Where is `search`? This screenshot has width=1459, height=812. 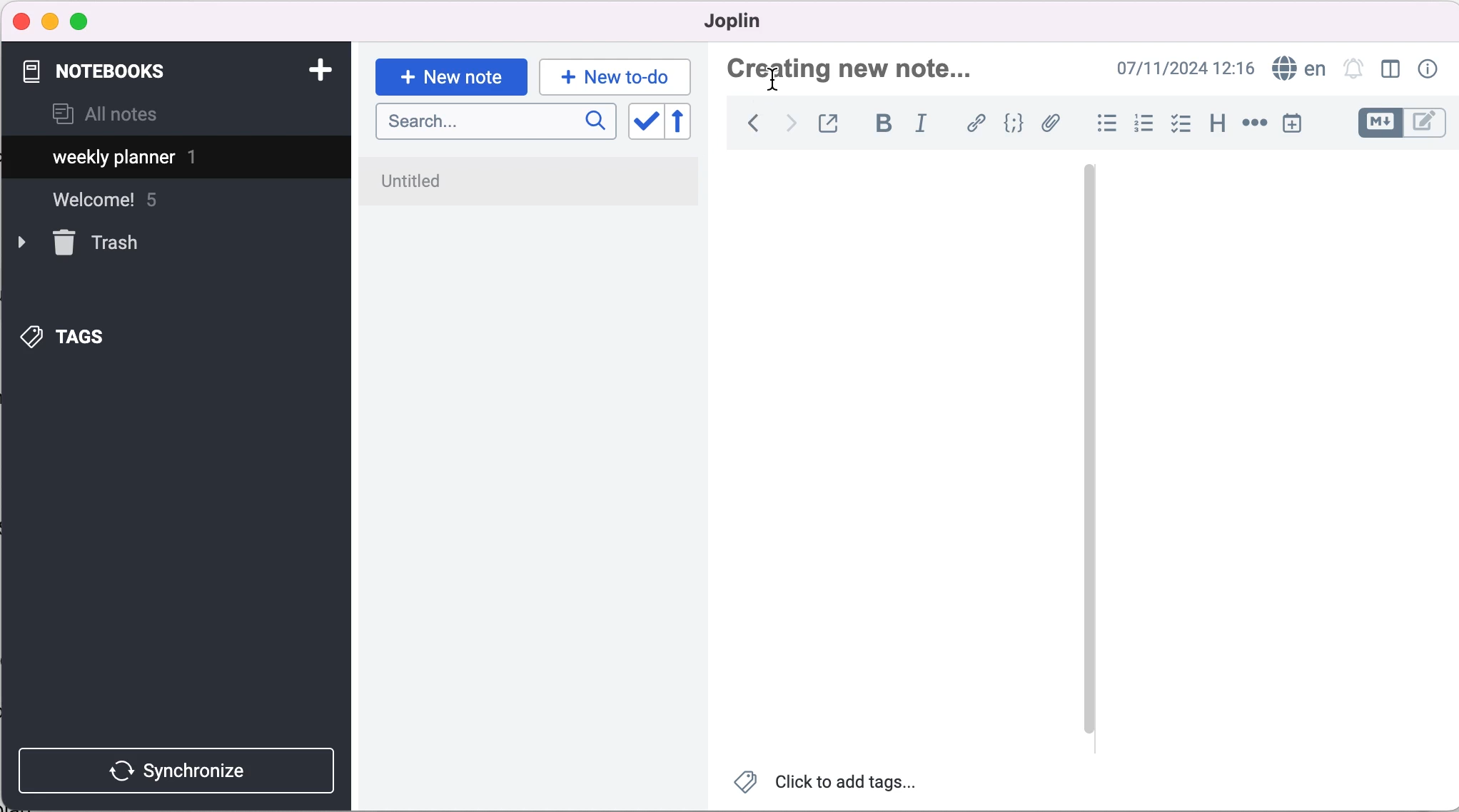
search is located at coordinates (495, 122).